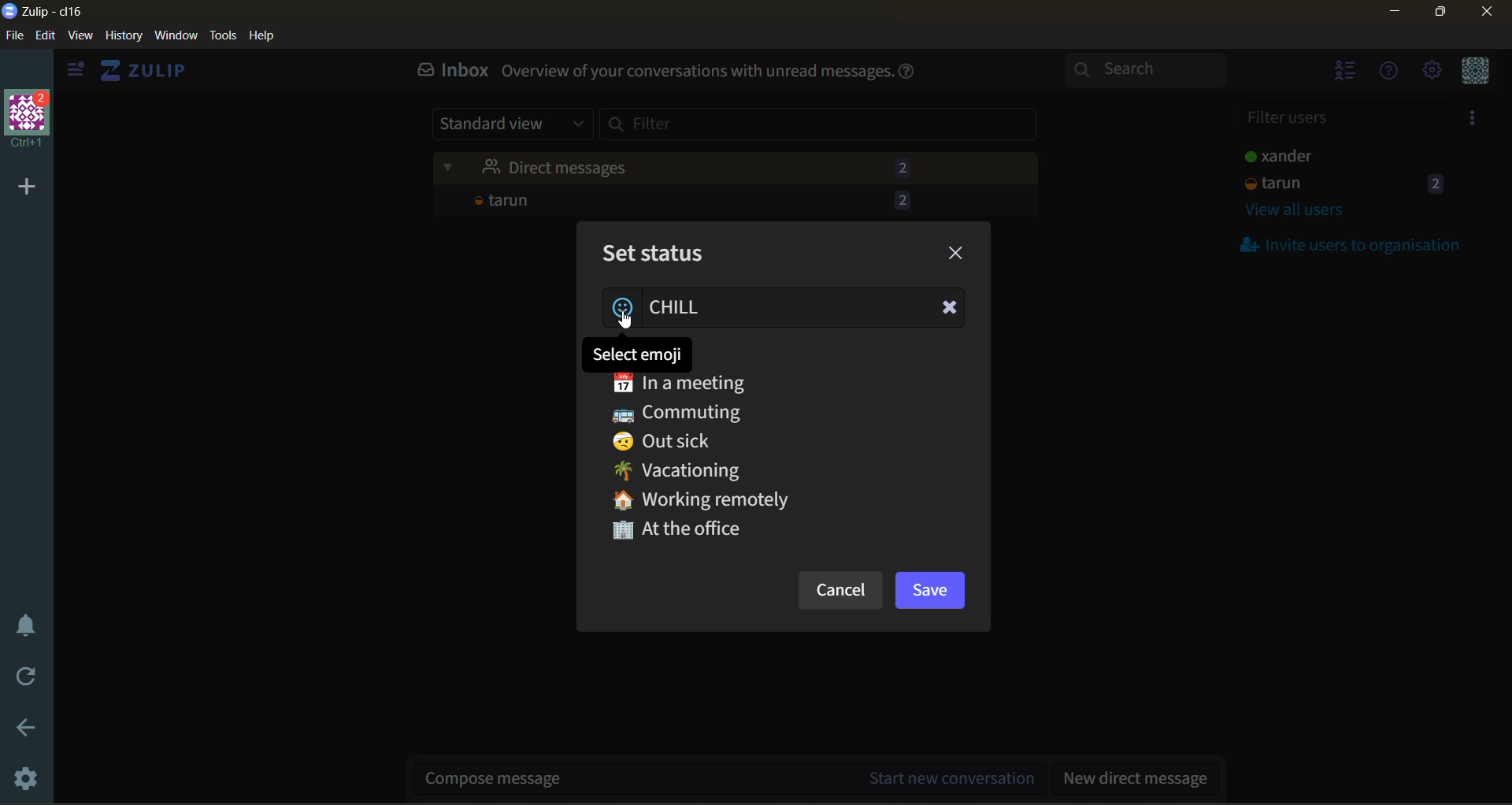  I want to click on window, so click(178, 37).